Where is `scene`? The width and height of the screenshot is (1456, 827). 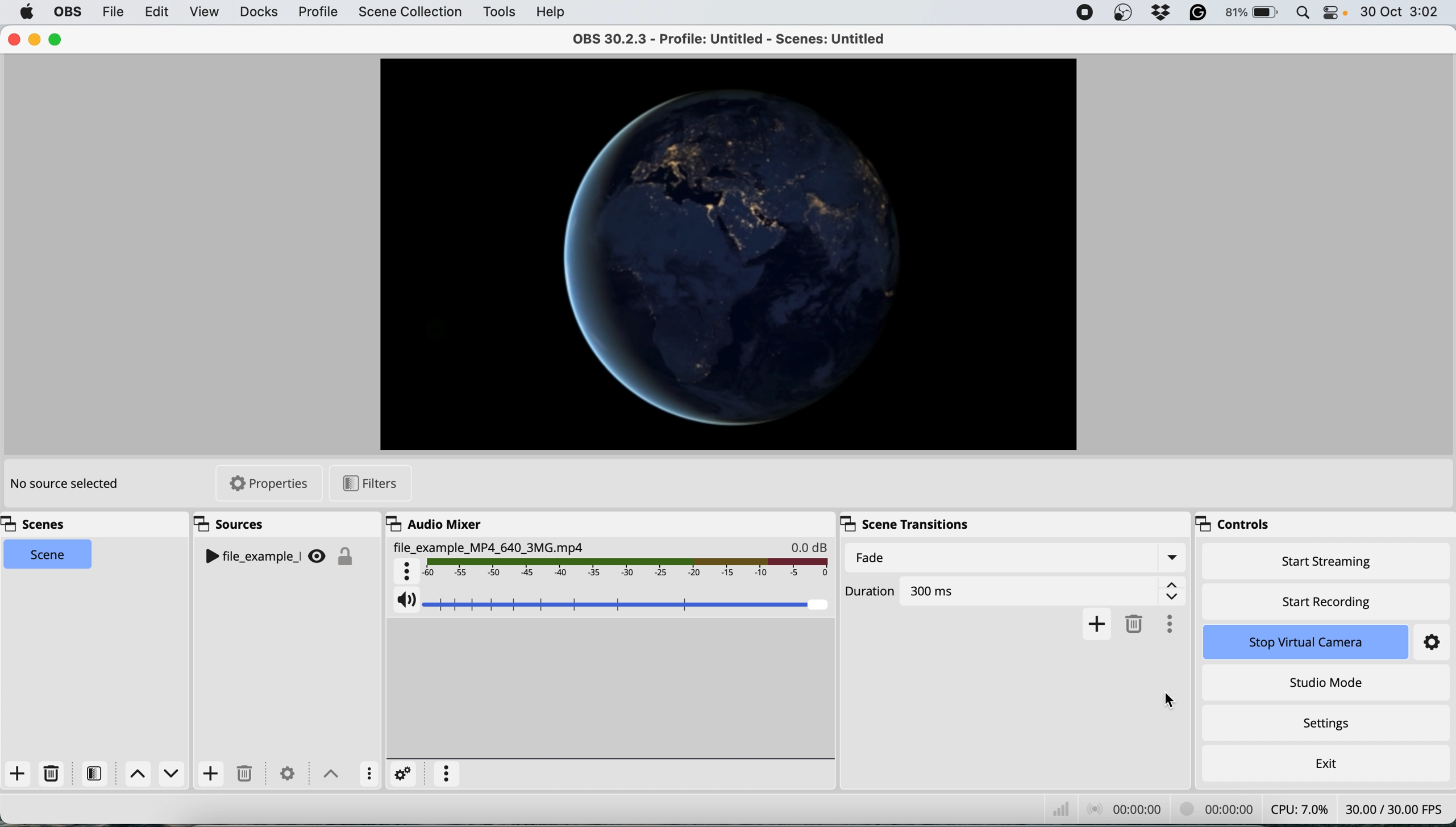
scene is located at coordinates (49, 553).